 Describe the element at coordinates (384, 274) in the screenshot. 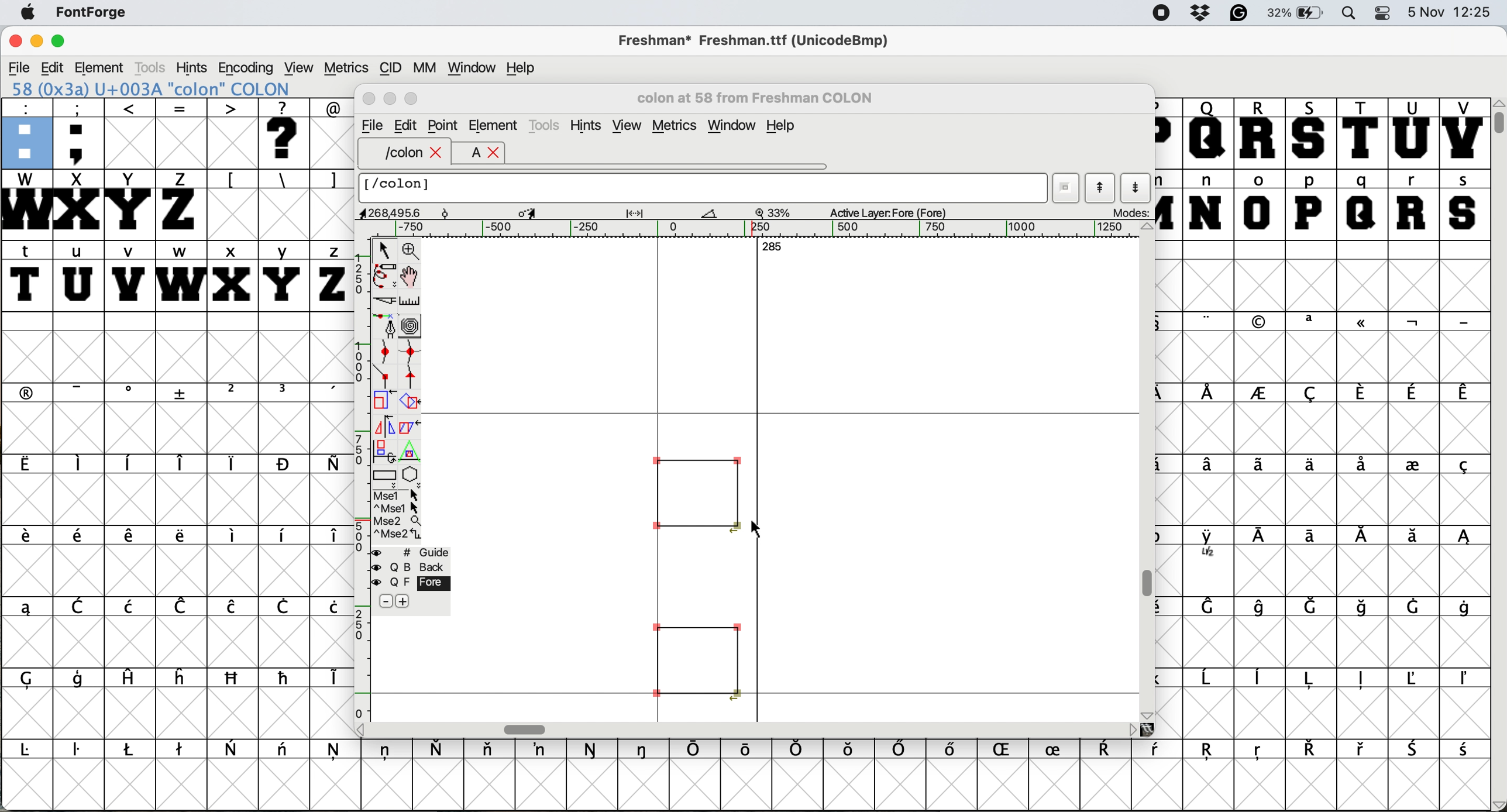

I see `draw freehand curve` at that location.